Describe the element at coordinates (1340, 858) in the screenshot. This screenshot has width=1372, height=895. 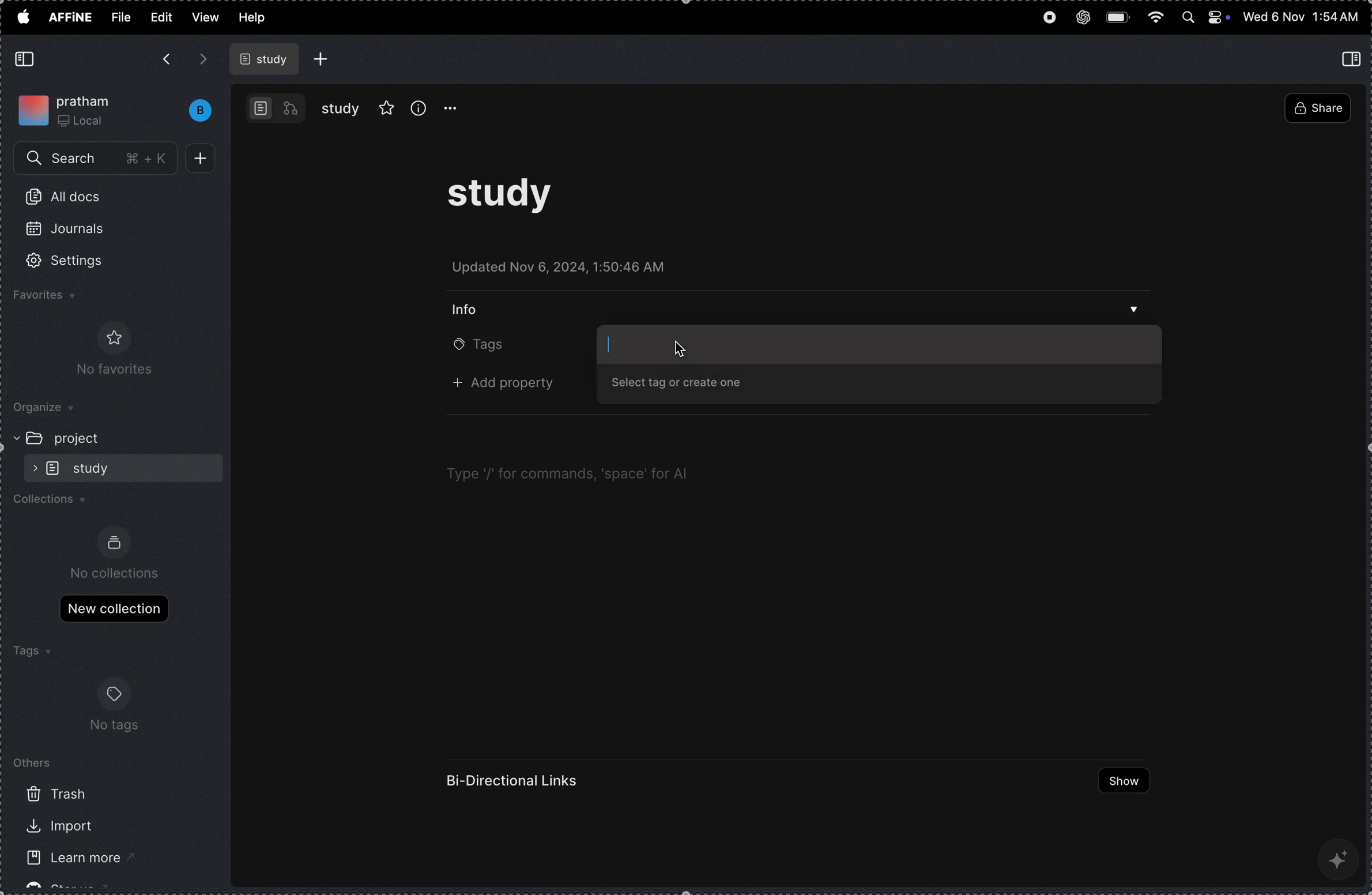
I see `ai` at that location.